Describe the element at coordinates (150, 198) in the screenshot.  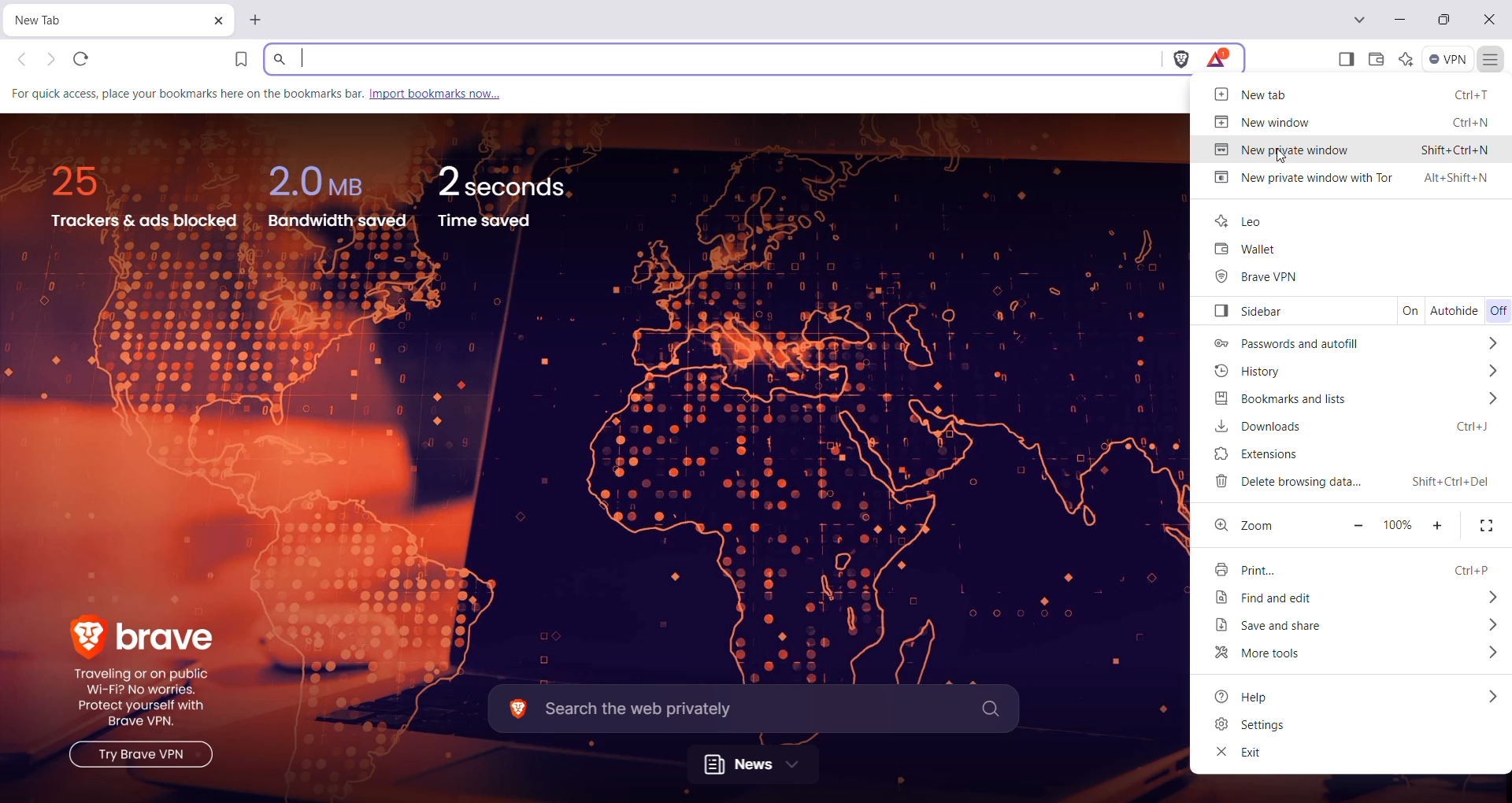
I see `25ntrackers and ads blocked` at that location.